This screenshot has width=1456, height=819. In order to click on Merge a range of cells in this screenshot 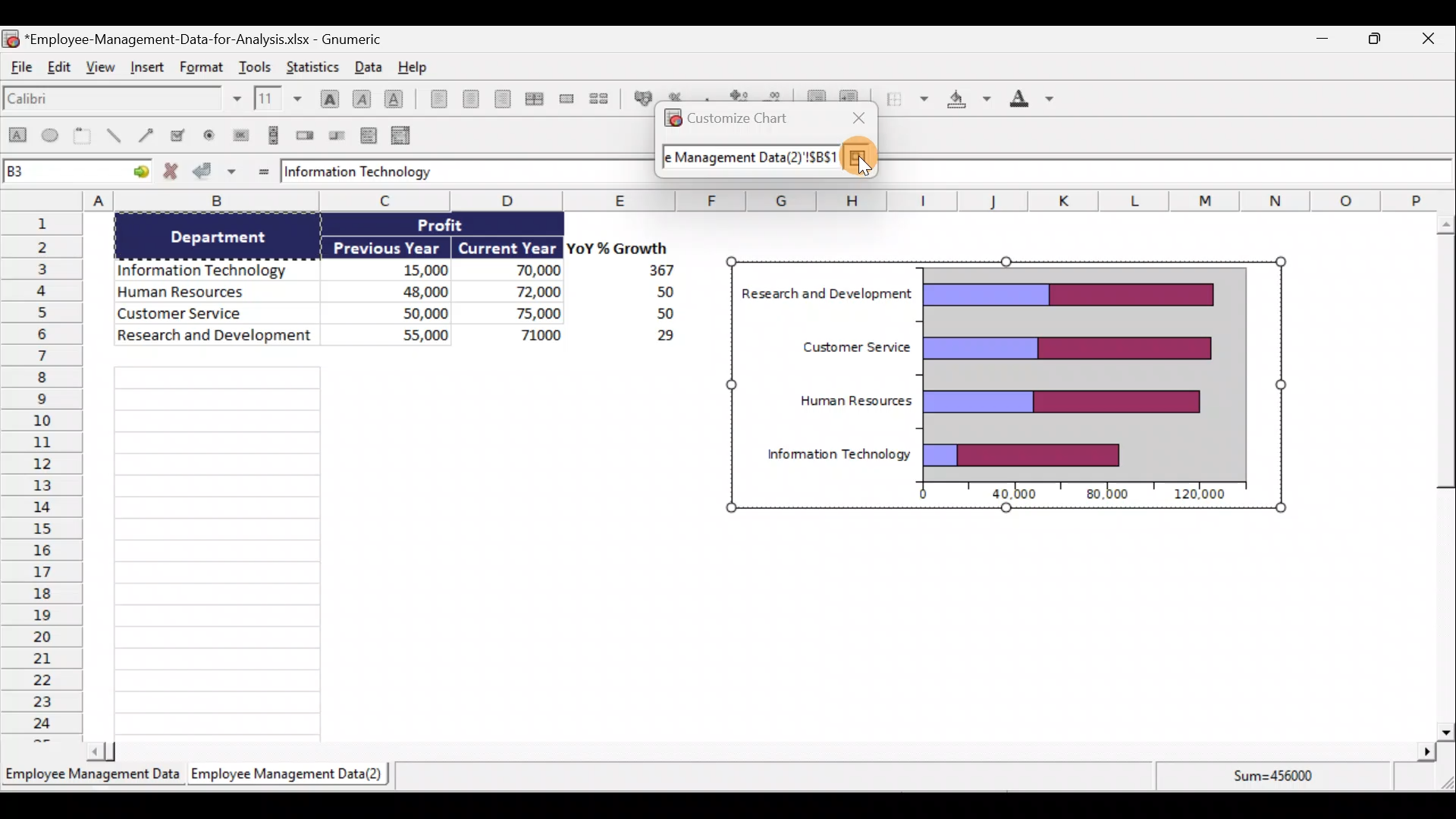, I will do `click(566, 99)`.